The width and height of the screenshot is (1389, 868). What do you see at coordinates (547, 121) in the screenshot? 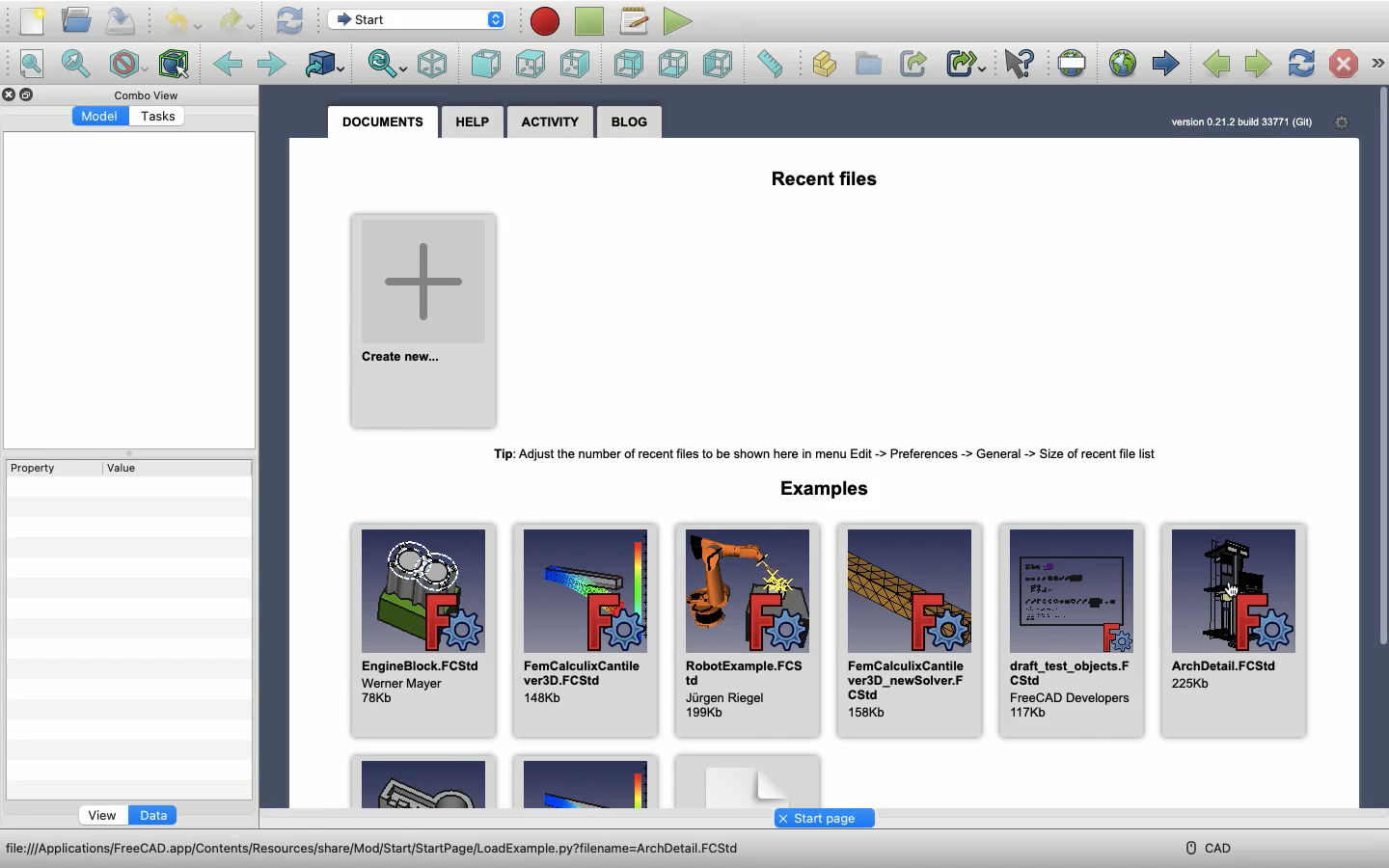
I see `Activity` at bounding box center [547, 121].